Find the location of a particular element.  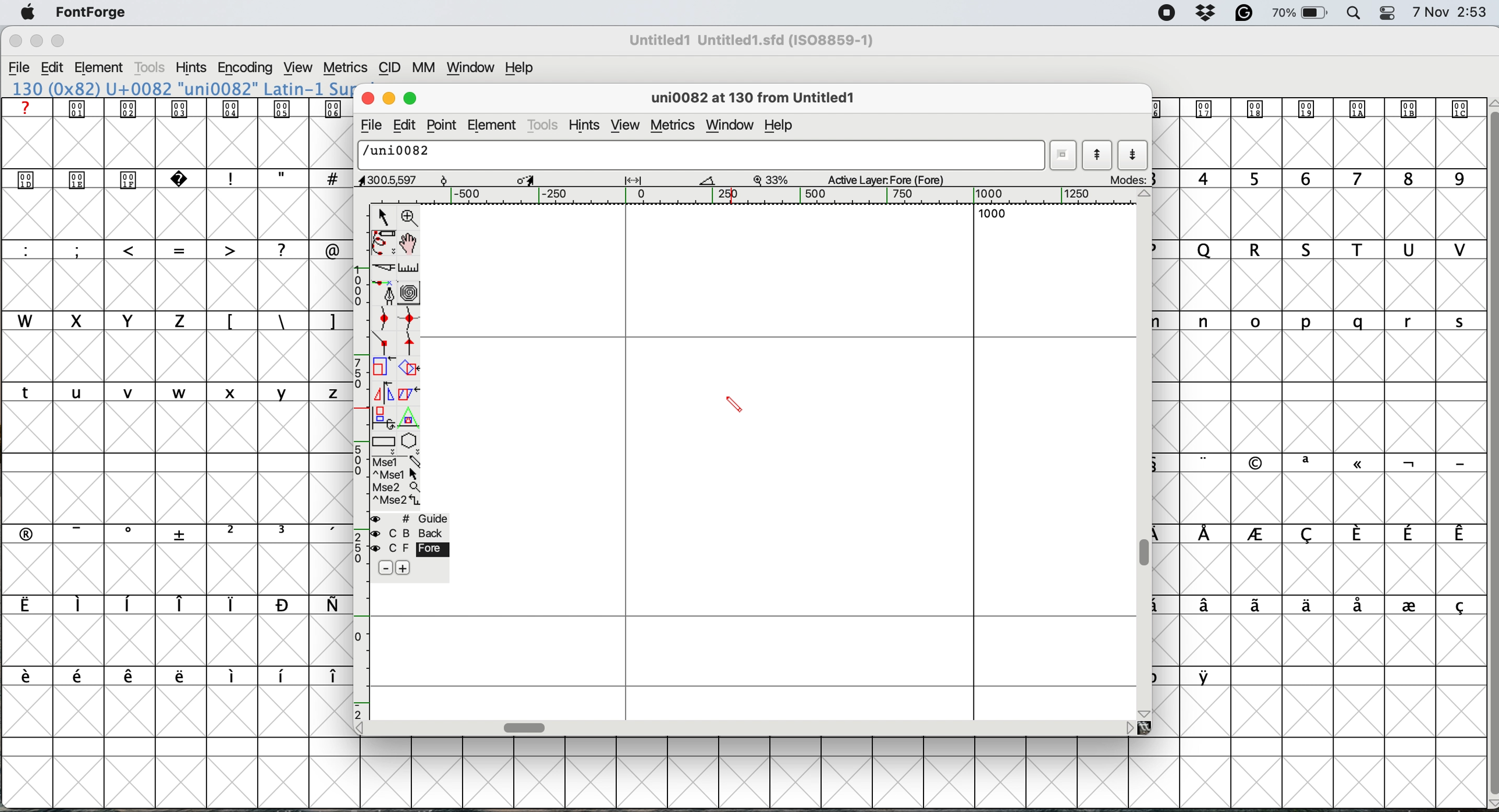

window is located at coordinates (474, 69).